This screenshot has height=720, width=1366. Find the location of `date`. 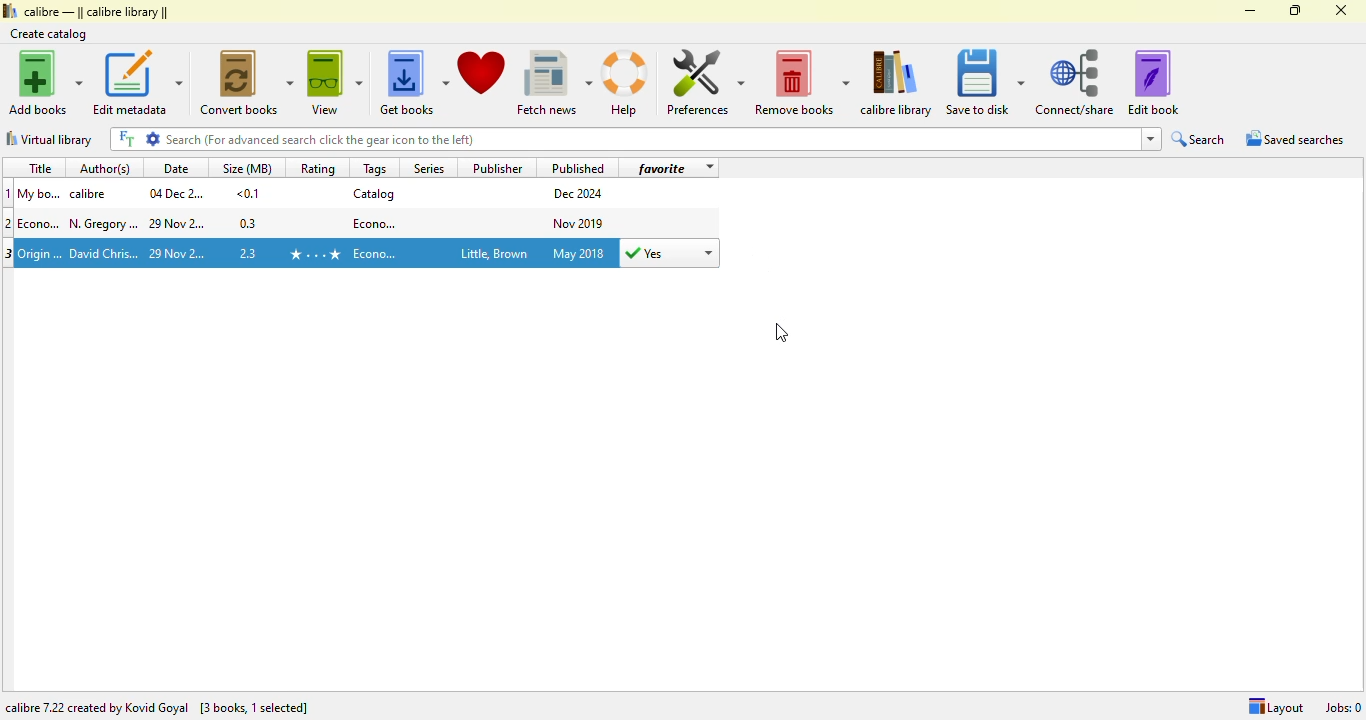

date is located at coordinates (176, 168).